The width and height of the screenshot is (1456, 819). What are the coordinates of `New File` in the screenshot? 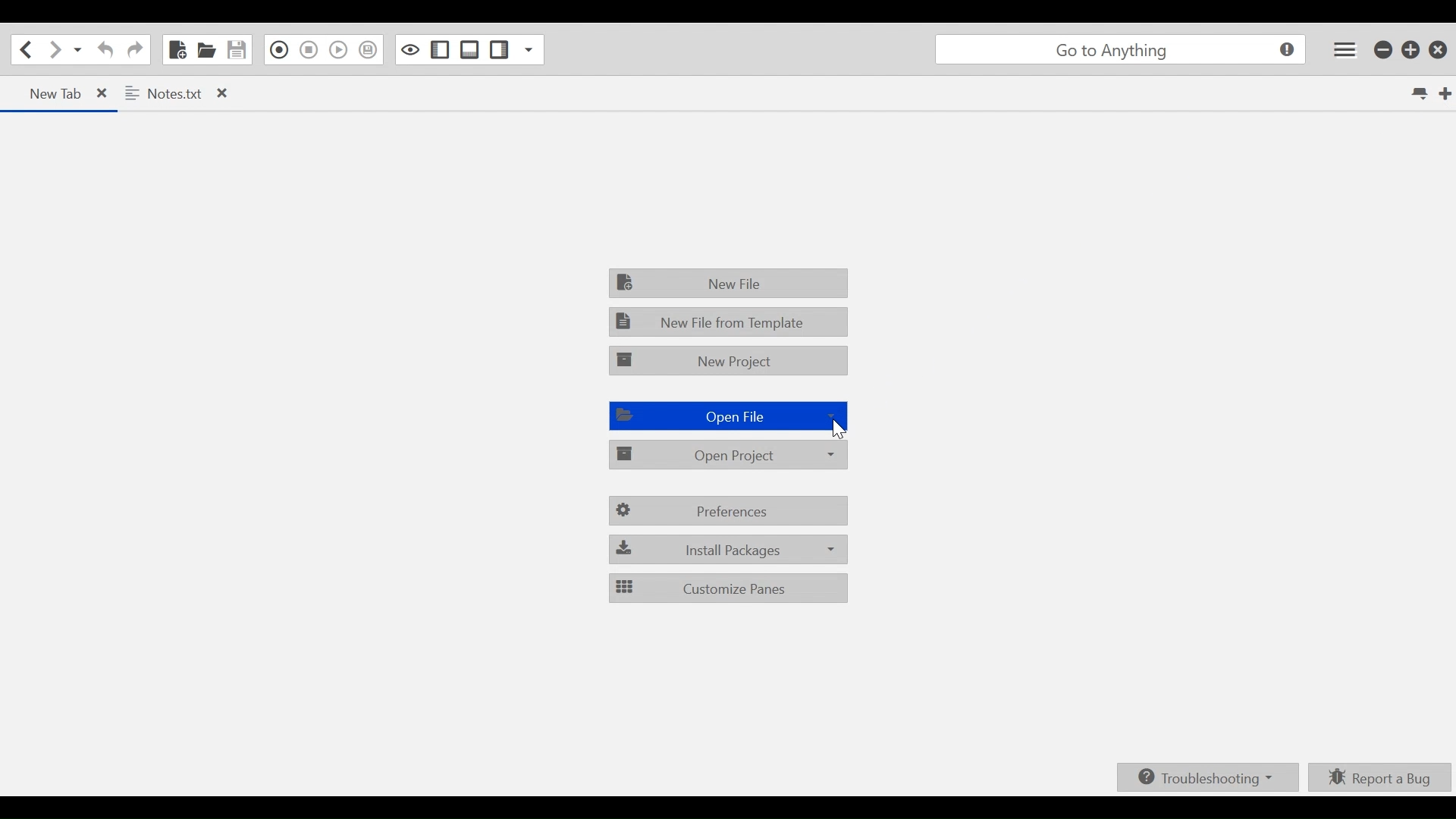 It's located at (175, 49).